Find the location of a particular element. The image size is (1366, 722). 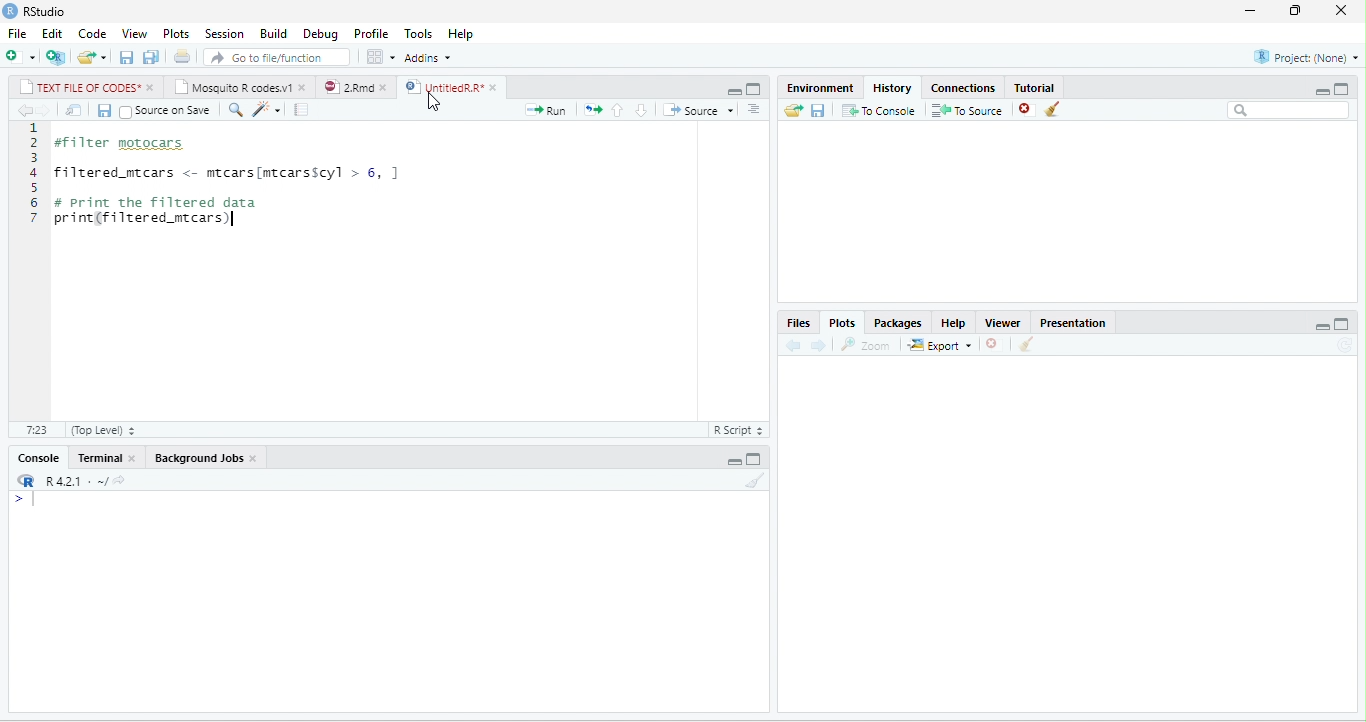

Mosquito R codes.v1 is located at coordinates (233, 86).